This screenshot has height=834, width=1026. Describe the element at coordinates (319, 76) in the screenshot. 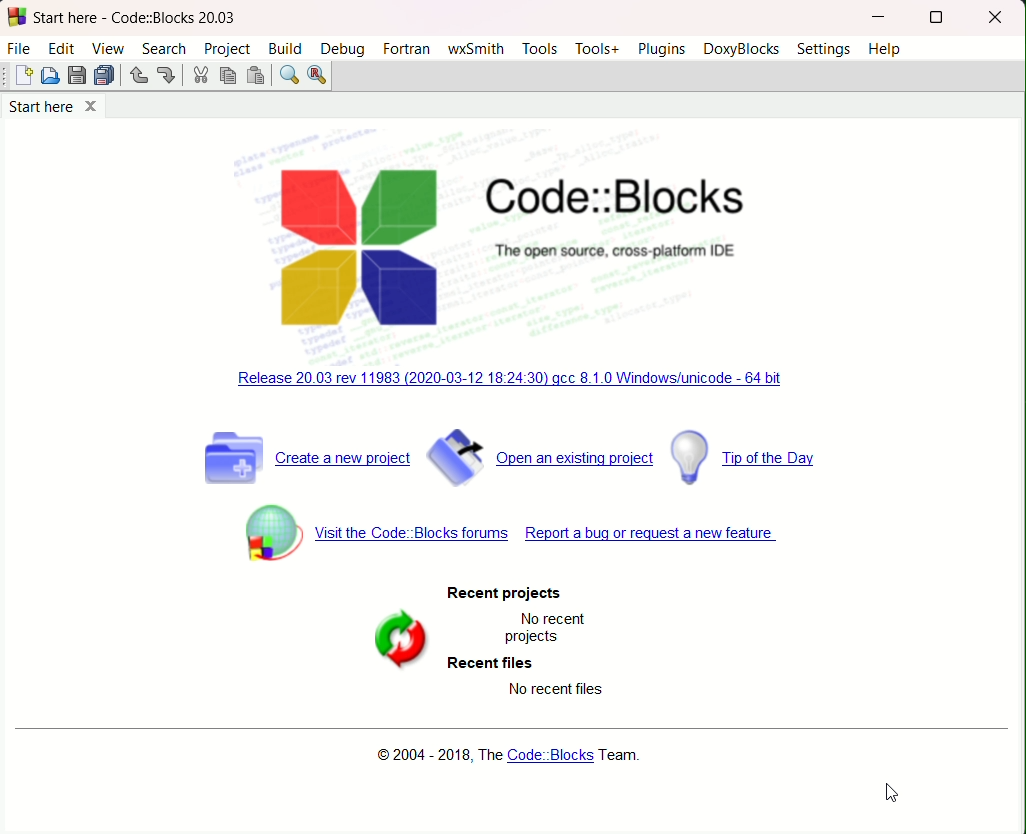

I see `find and replace` at that location.